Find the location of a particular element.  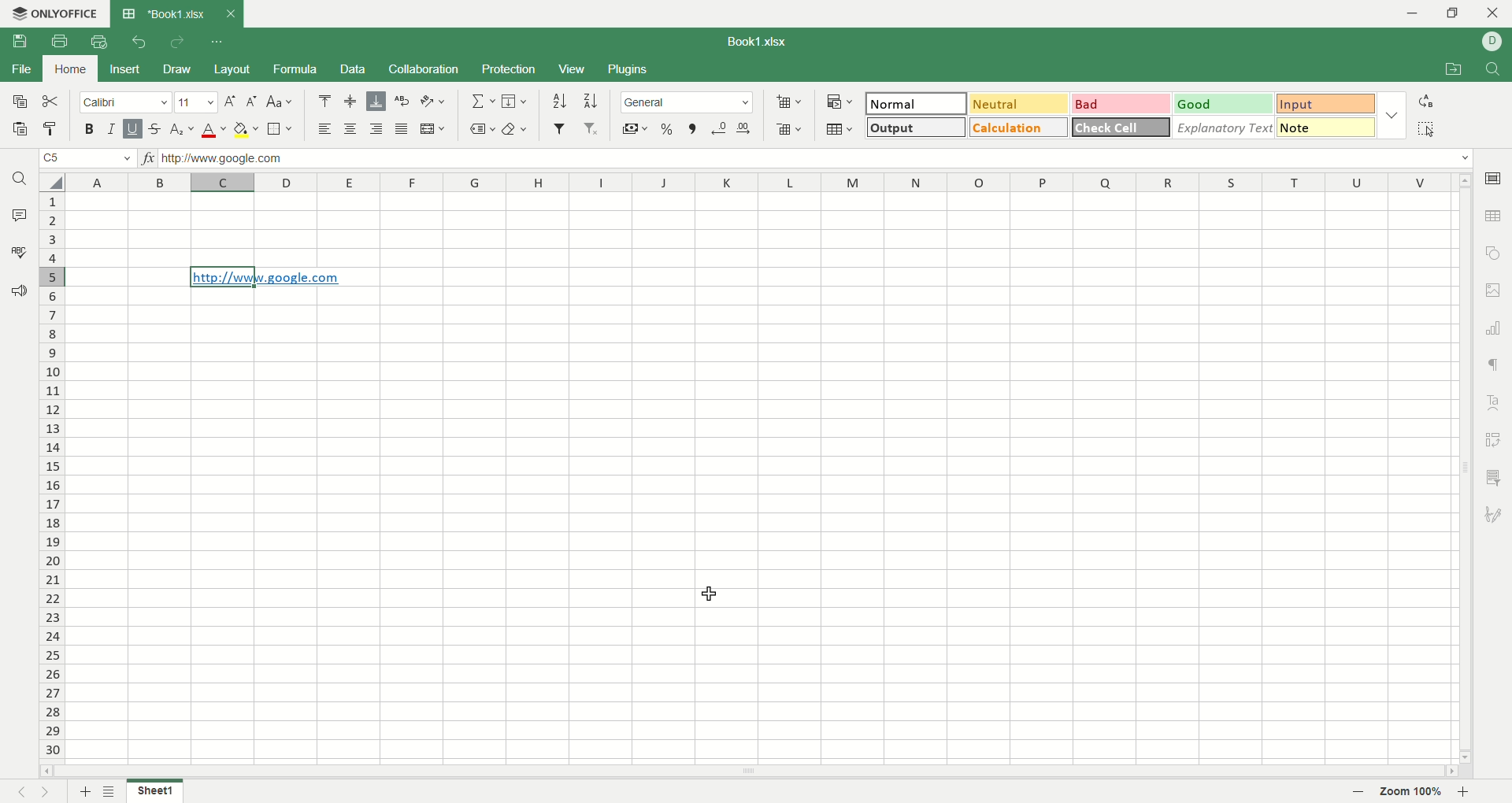

maximize is located at coordinates (1455, 13).